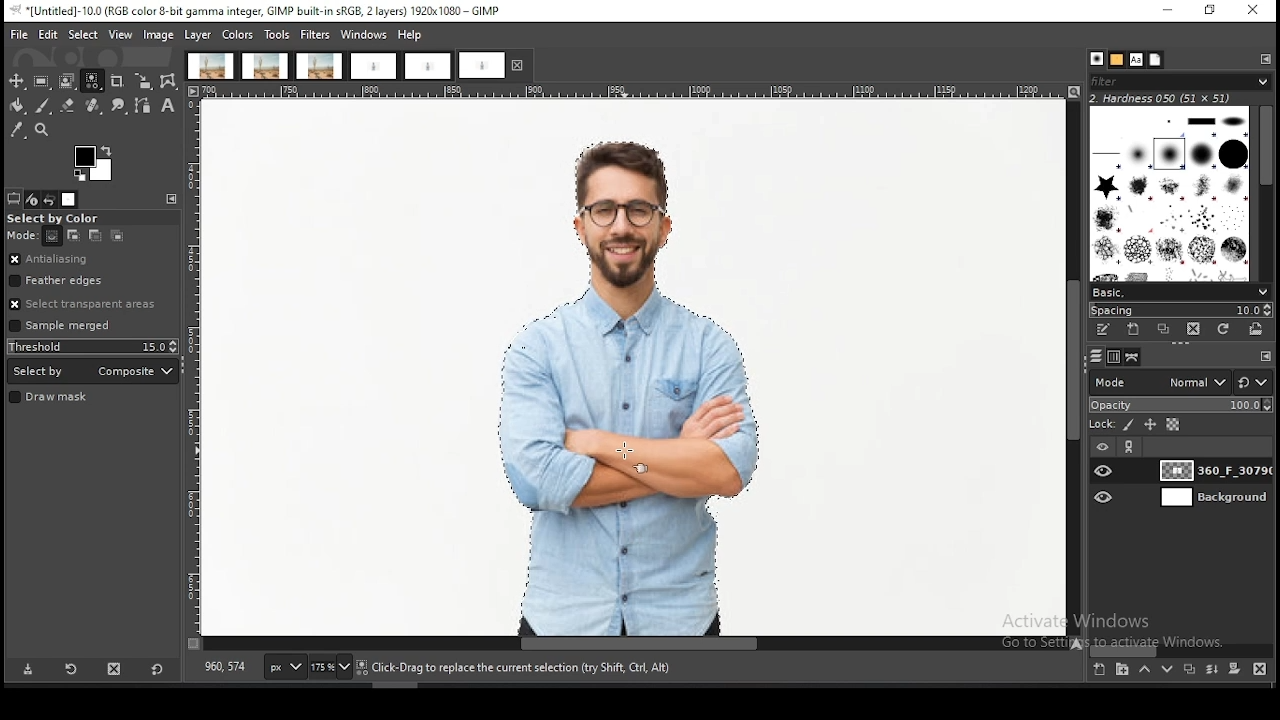 The image size is (1280, 720). Describe the element at coordinates (68, 105) in the screenshot. I see `eraser tool` at that location.